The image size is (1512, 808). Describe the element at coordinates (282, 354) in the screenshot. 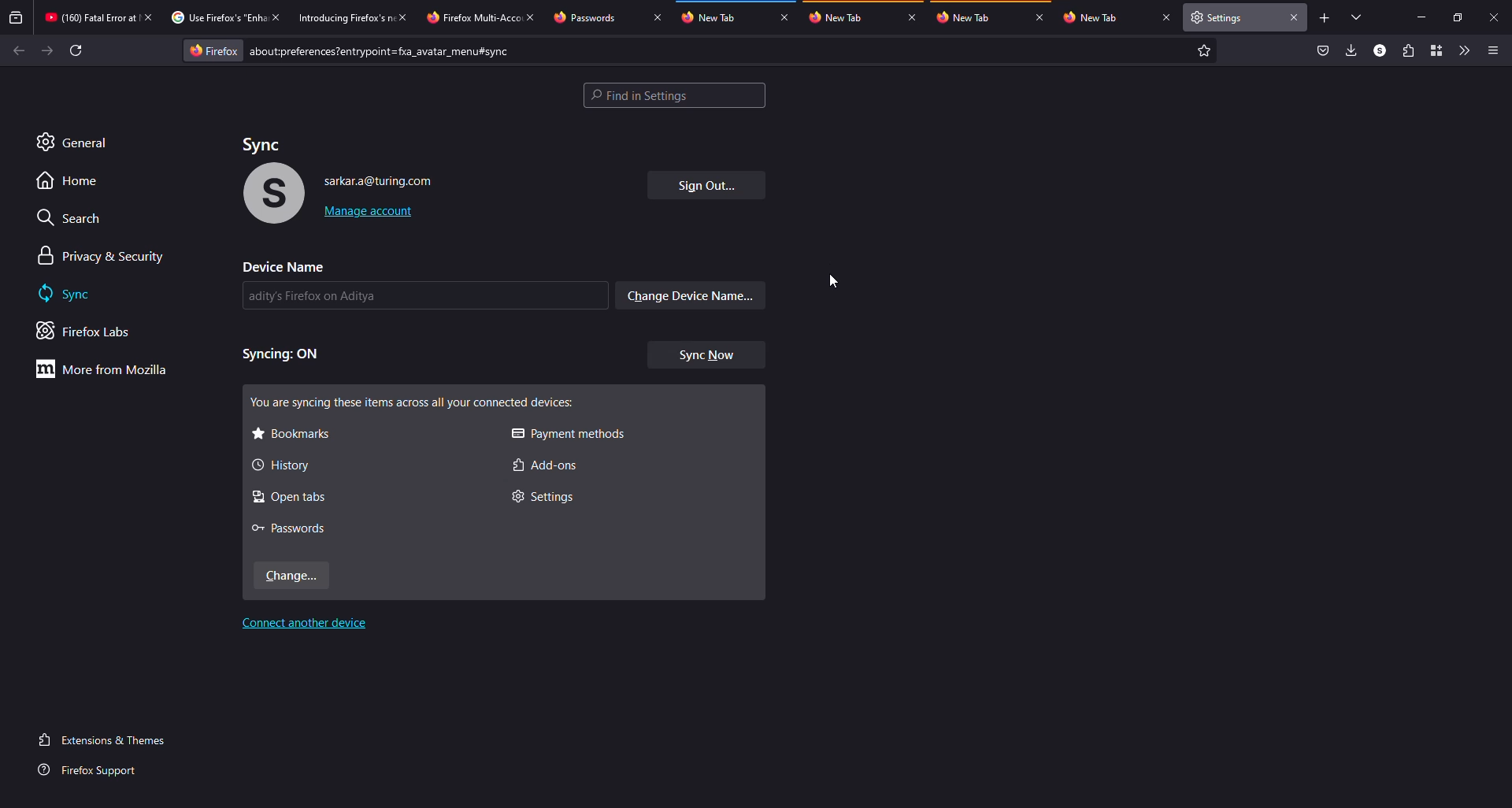

I see `syncing on` at that location.